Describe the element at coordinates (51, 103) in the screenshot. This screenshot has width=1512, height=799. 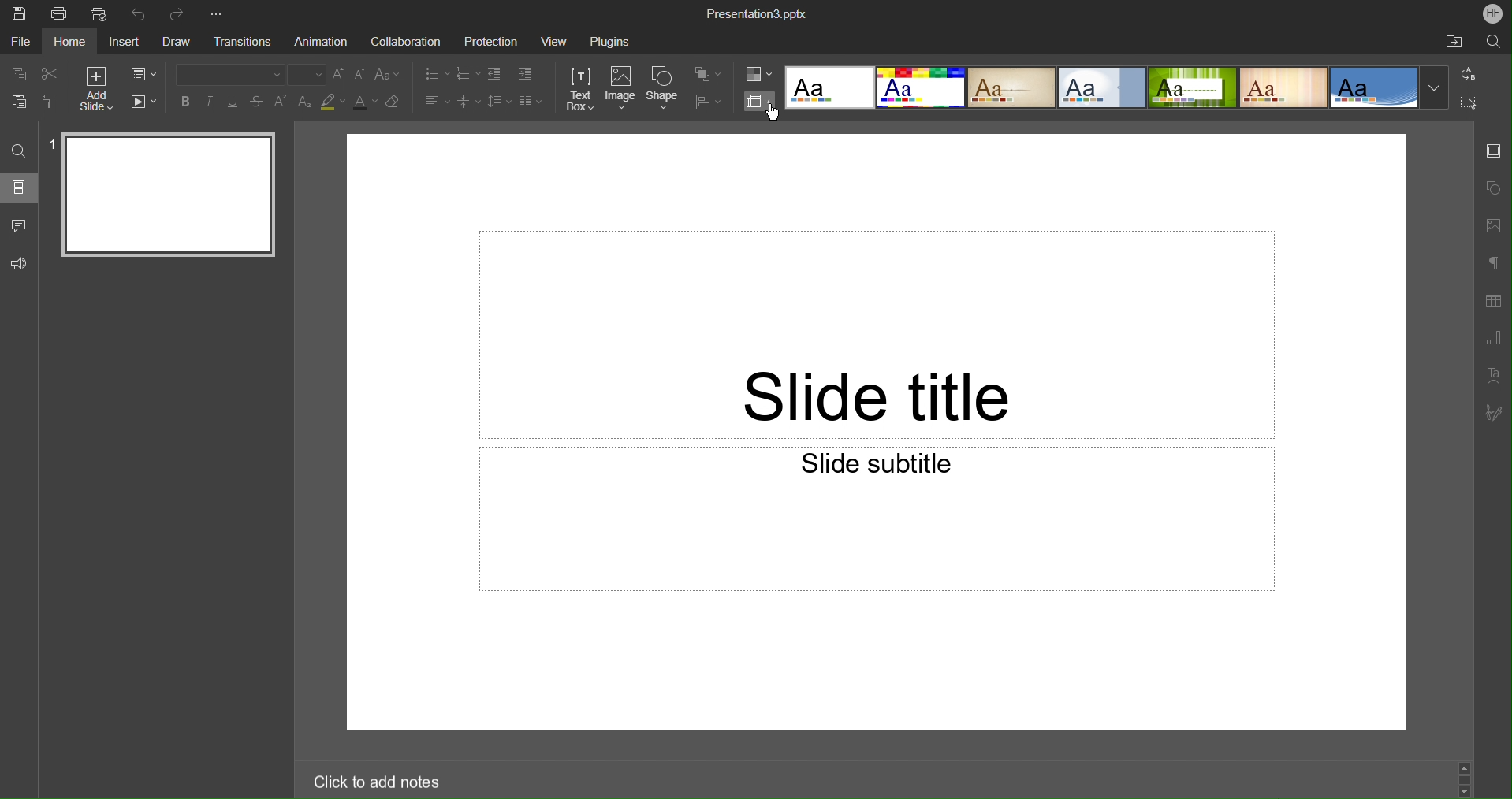
I see `Copy Style` at that location.